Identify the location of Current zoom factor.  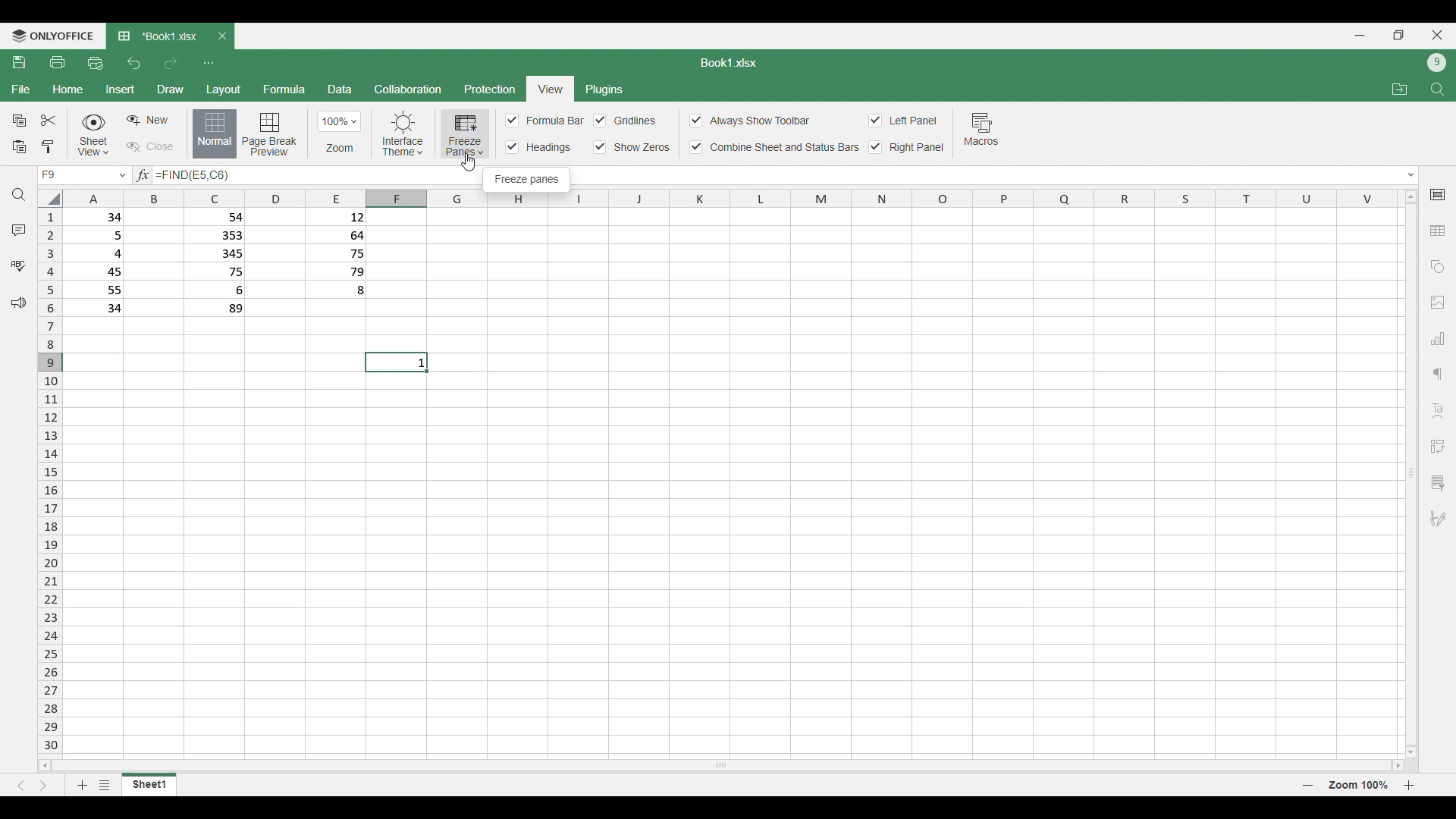
(1359, 785).